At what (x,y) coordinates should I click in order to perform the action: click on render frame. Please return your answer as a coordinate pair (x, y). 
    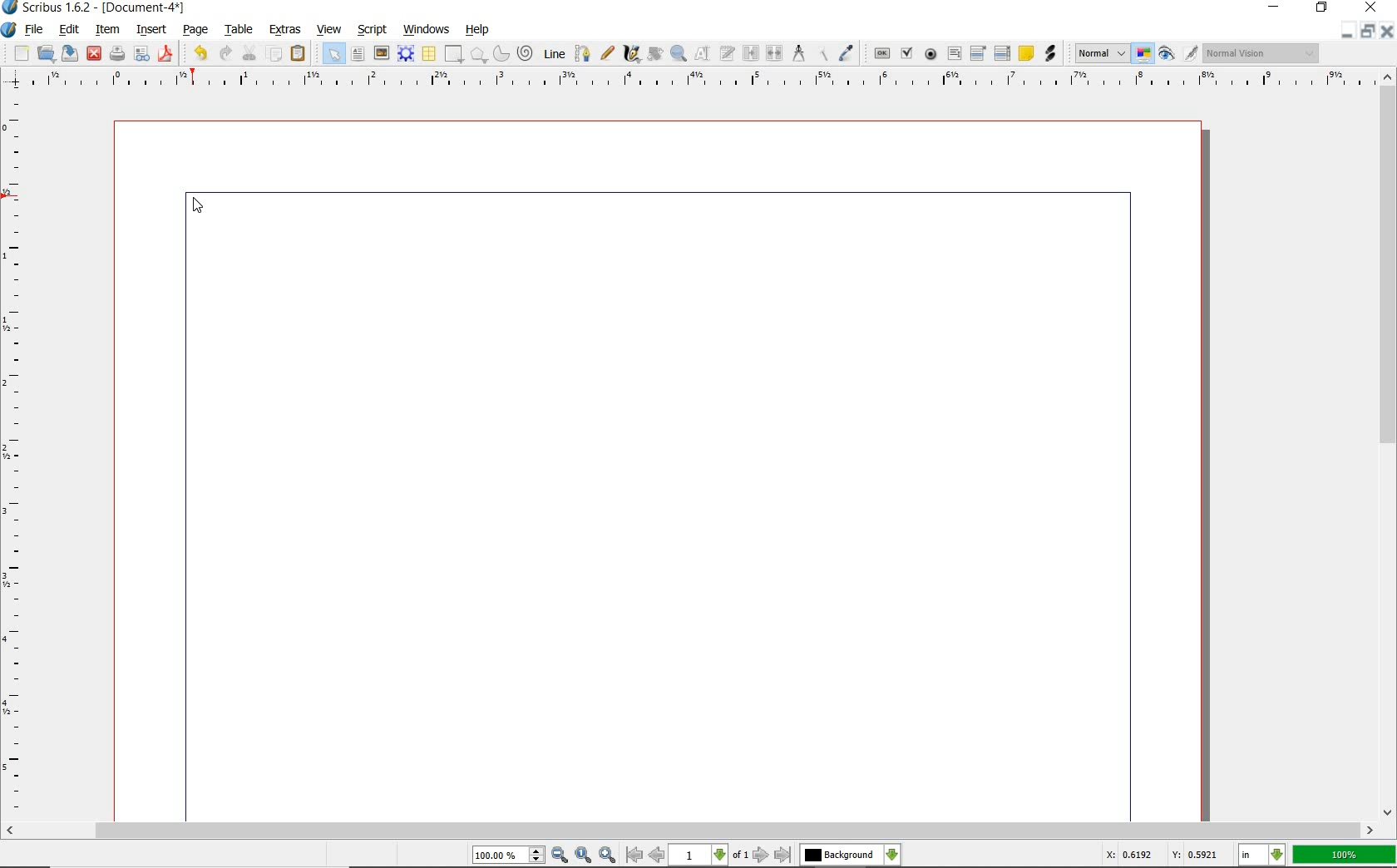
    Looking at the image, I should click on (407, 55).